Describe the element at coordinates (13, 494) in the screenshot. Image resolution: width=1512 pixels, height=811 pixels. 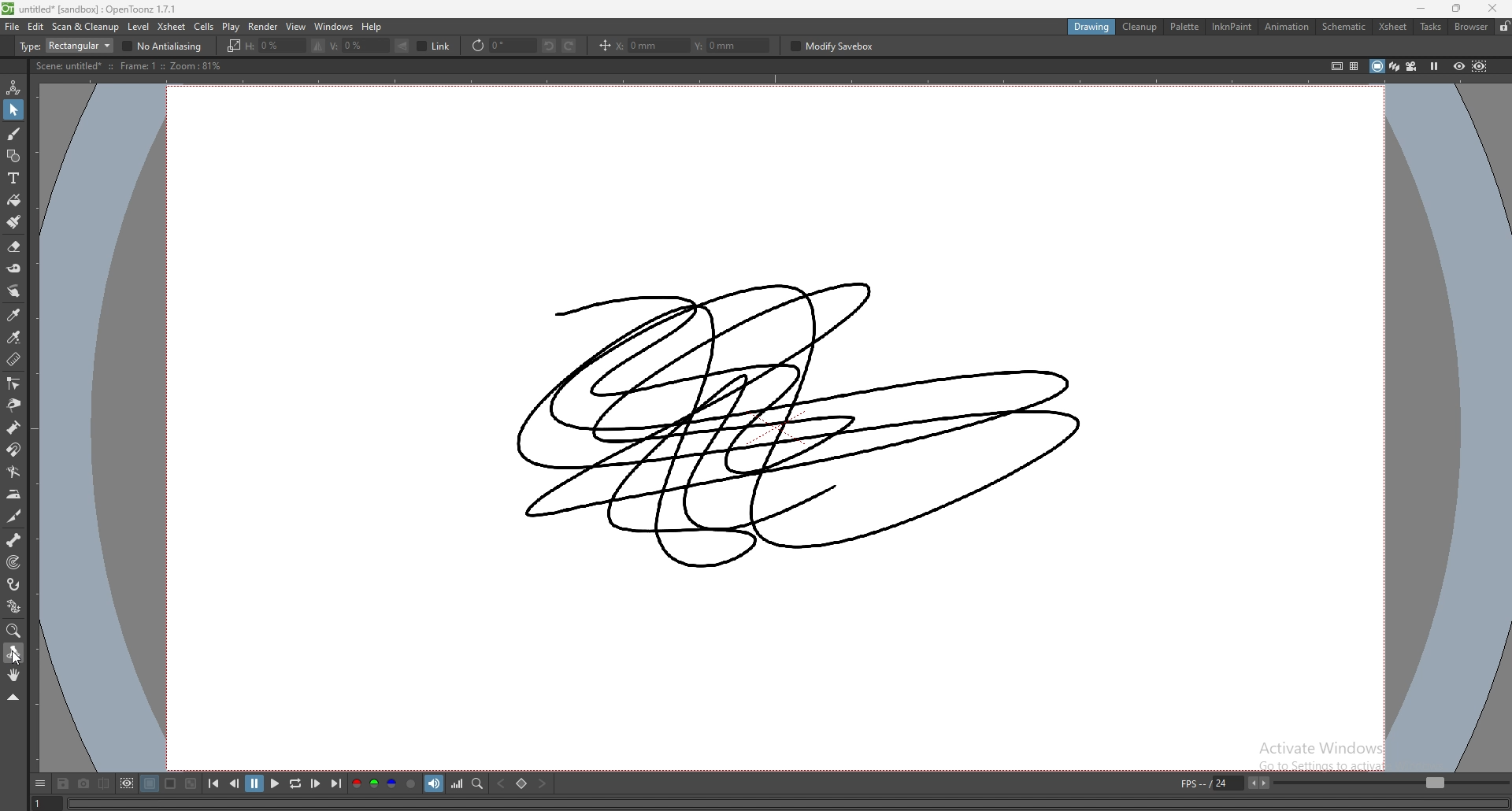
I see `iron` at that location.